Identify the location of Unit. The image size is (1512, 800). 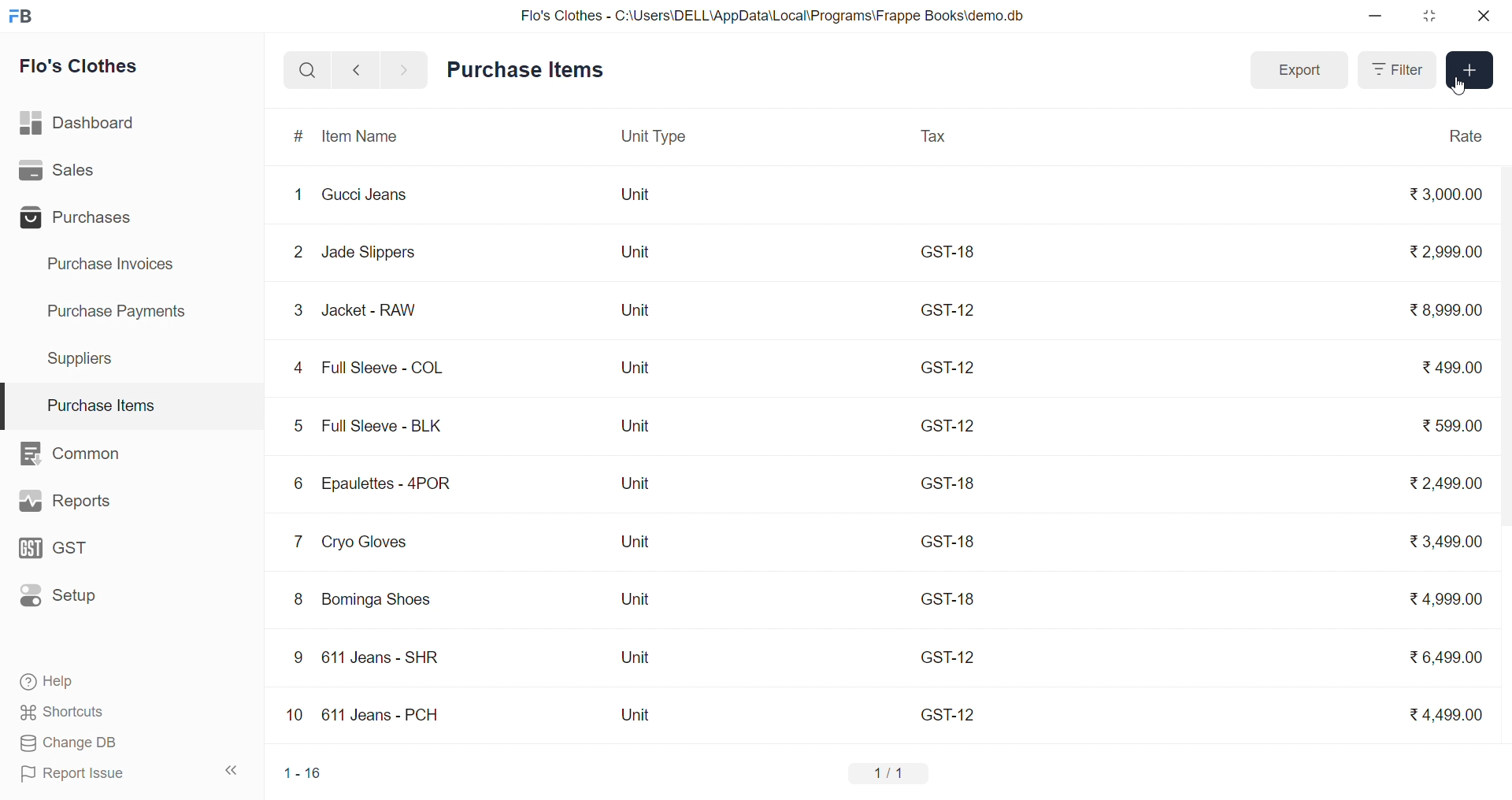
(637, 544).